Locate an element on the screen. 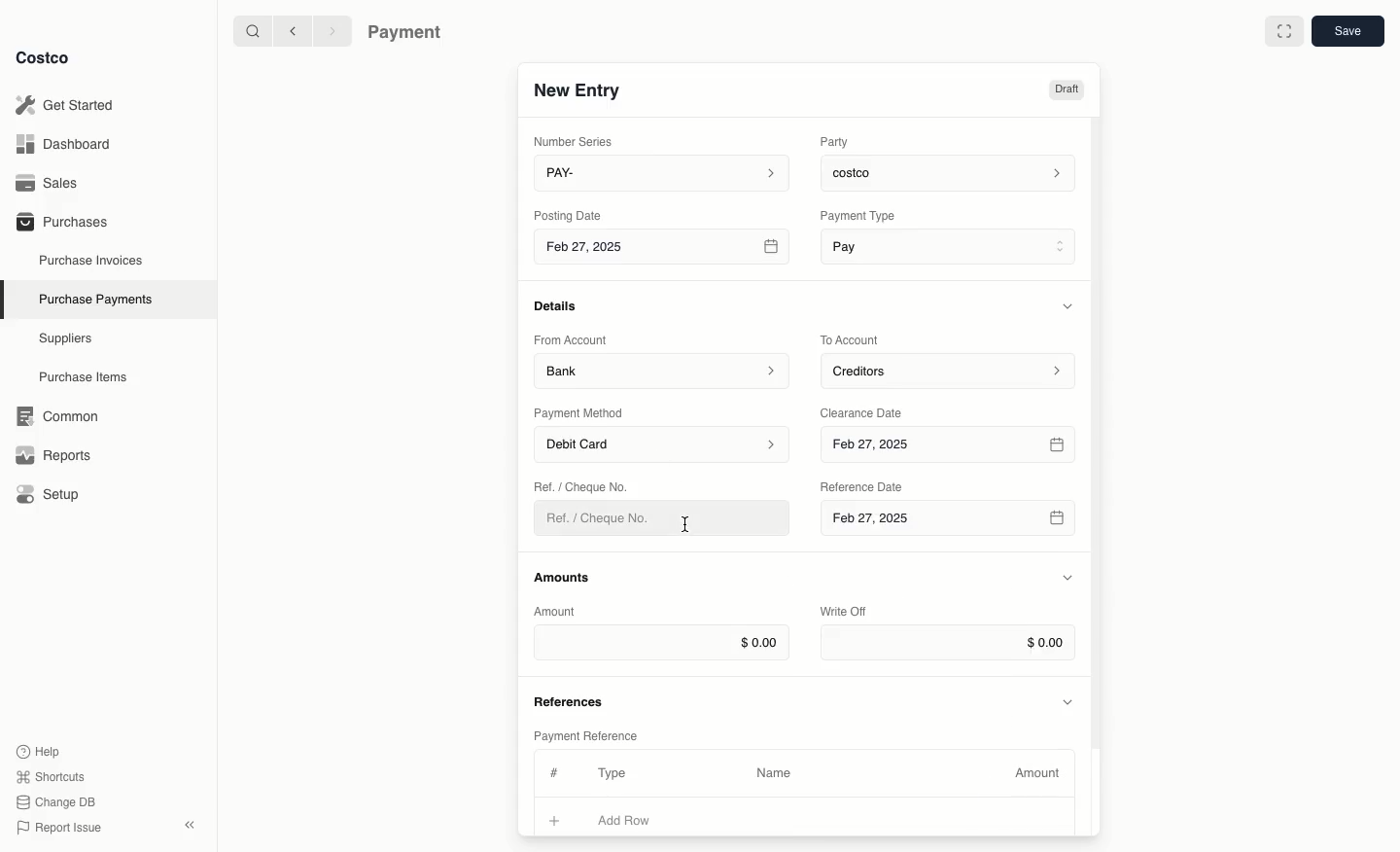  Amount is located at coordinates (558, 611).